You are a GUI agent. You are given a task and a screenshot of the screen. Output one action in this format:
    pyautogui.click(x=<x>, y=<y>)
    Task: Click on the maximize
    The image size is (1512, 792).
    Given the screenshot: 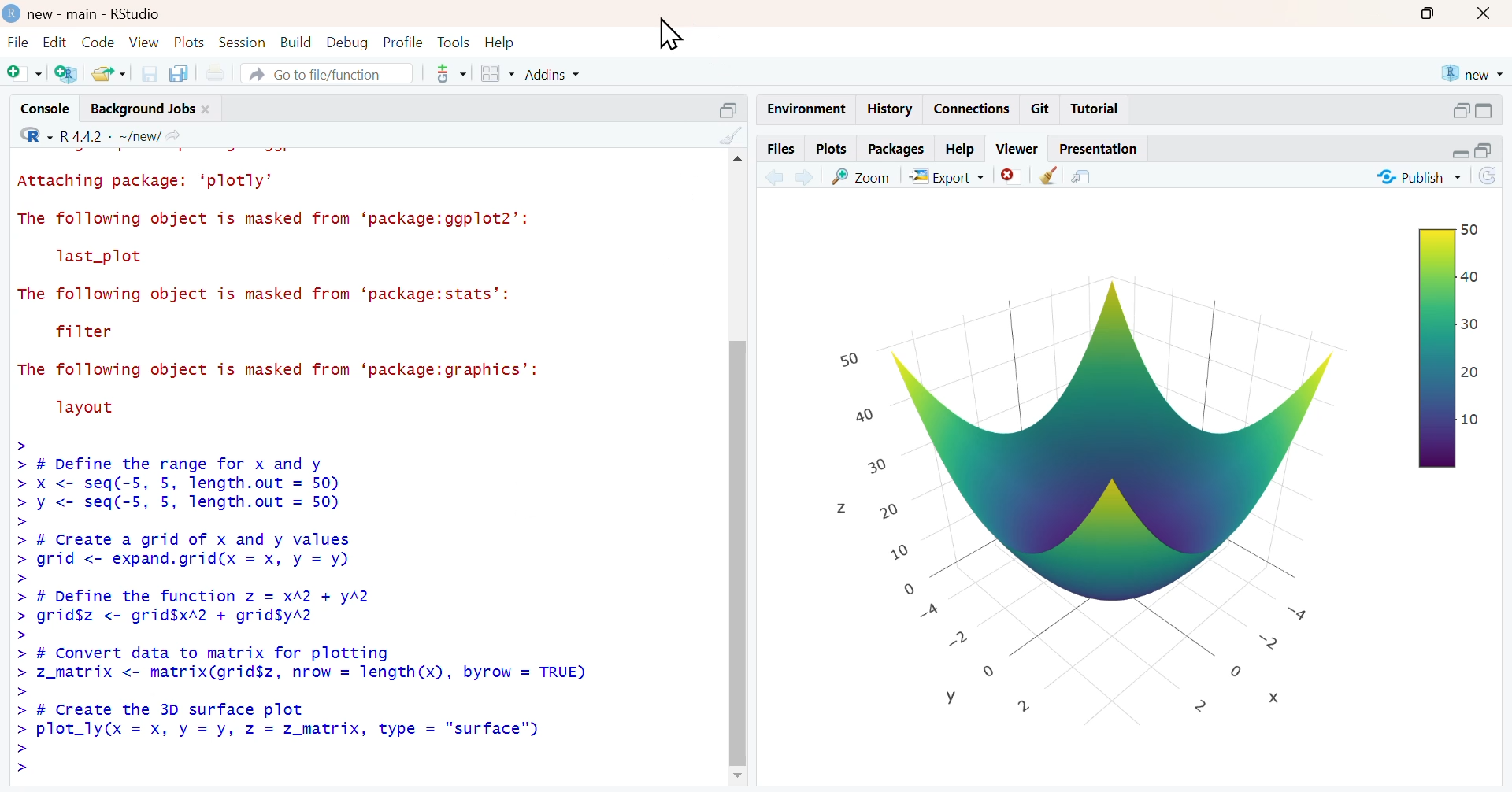 What is the action you would take?
    pyautogui.click(x=1432, y=12)
    